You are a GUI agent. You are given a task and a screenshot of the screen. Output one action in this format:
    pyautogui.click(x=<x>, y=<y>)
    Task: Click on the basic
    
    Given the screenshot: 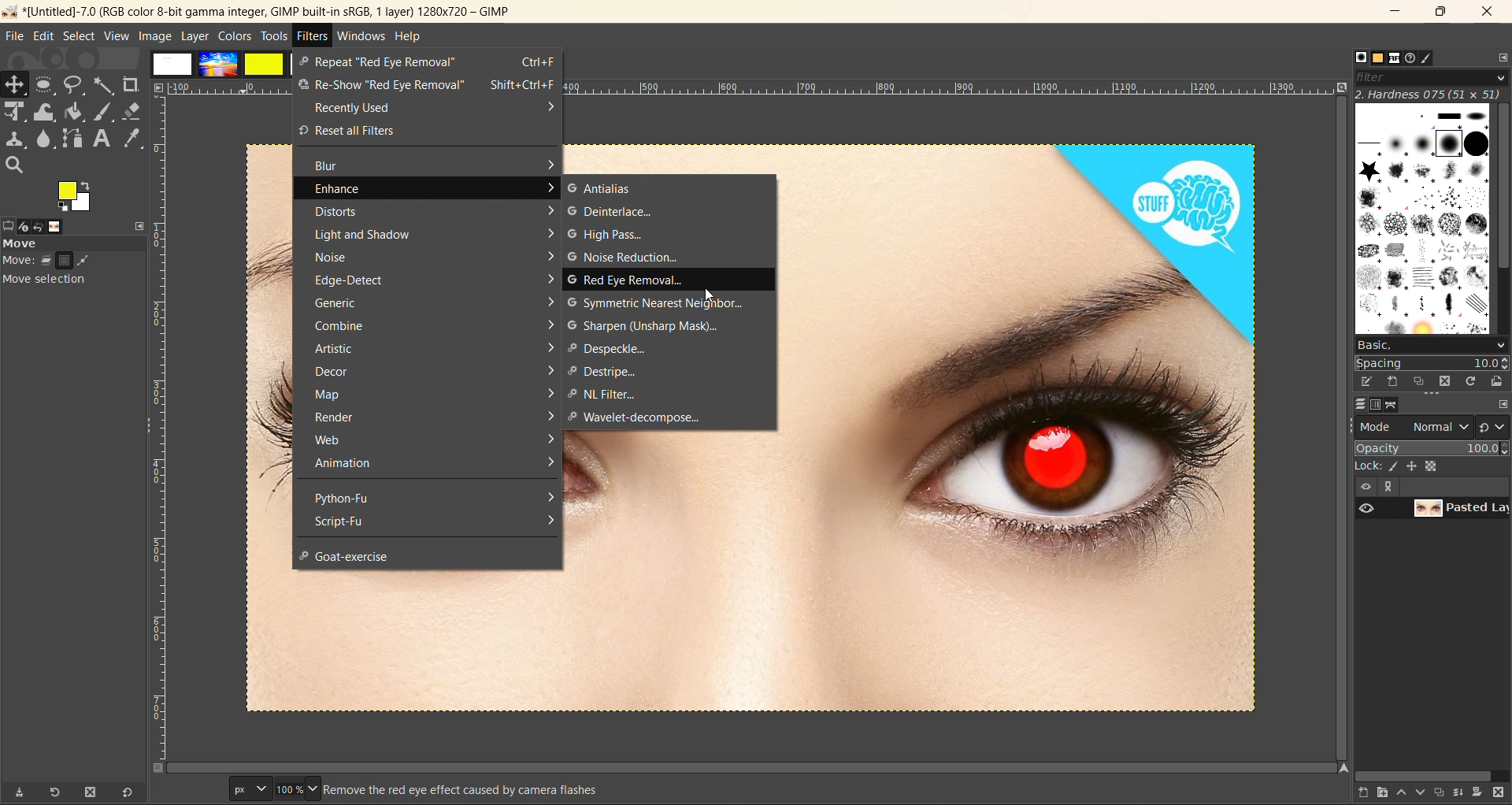 What is the action you would take?
    pyautogui.click(x=1433, y=347)
    